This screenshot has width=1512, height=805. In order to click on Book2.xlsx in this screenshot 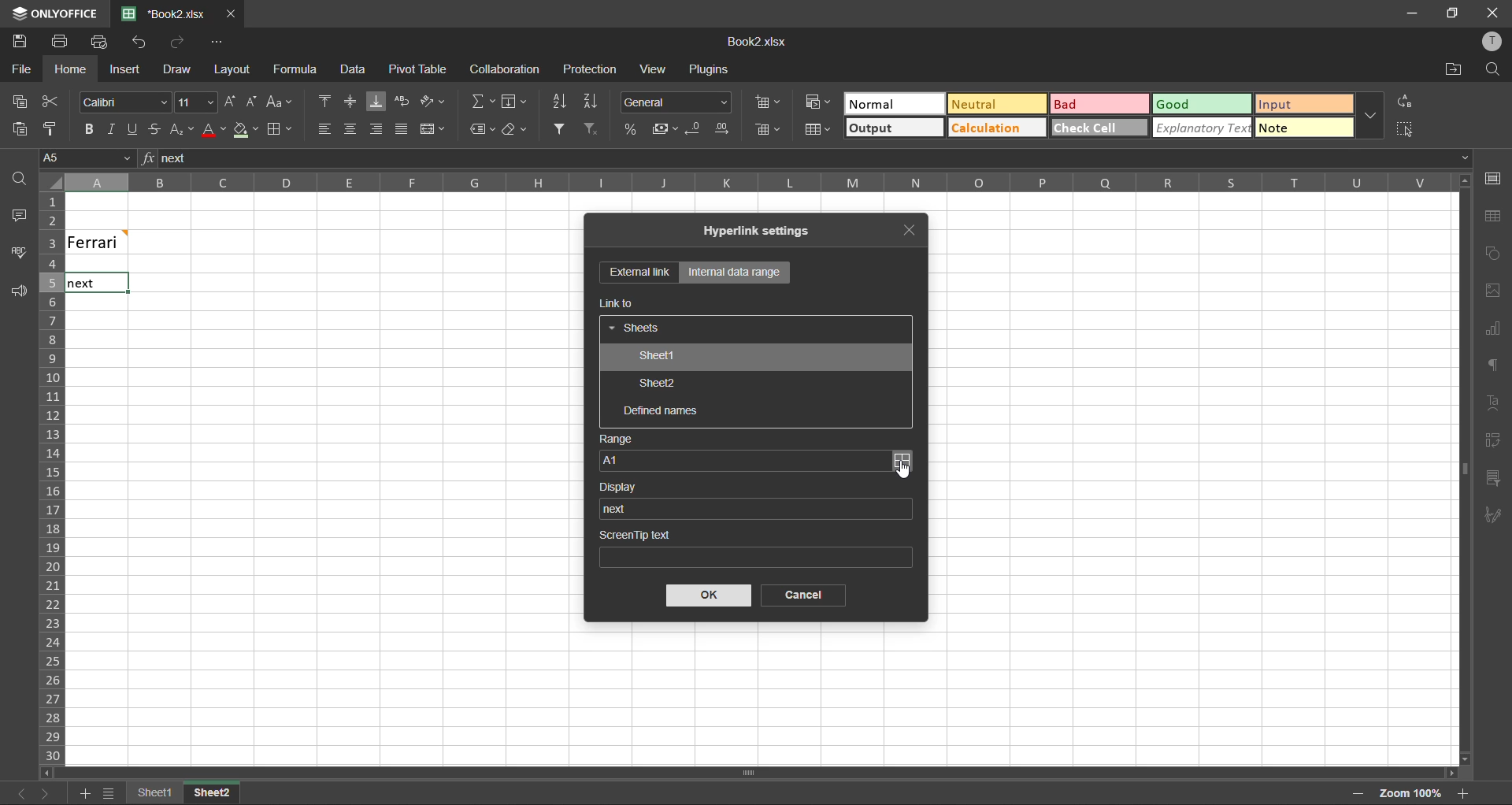, I will do `click(755, 43)`.